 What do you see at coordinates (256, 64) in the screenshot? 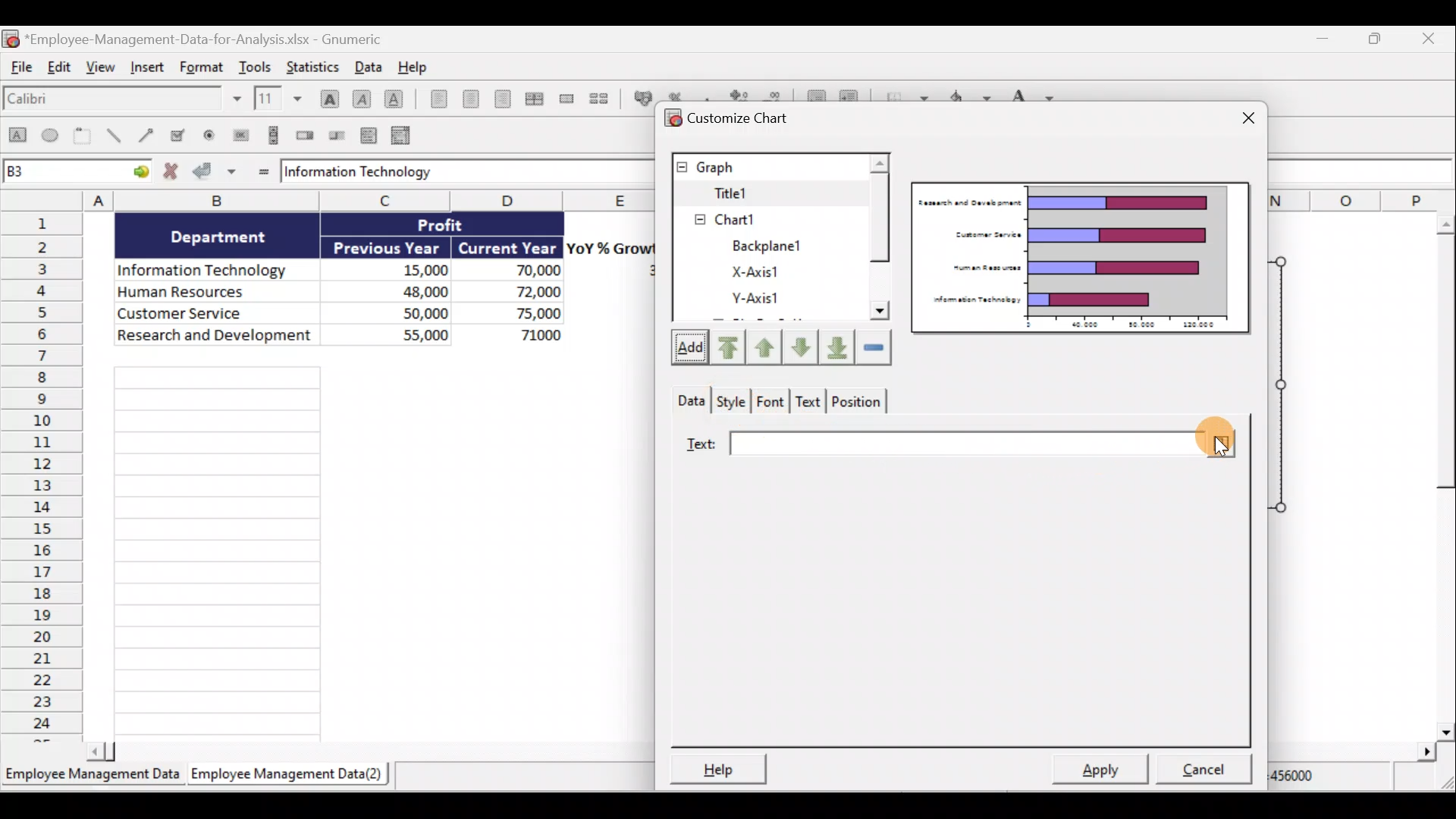
I see `Tools` at bounding box center [256, 64].